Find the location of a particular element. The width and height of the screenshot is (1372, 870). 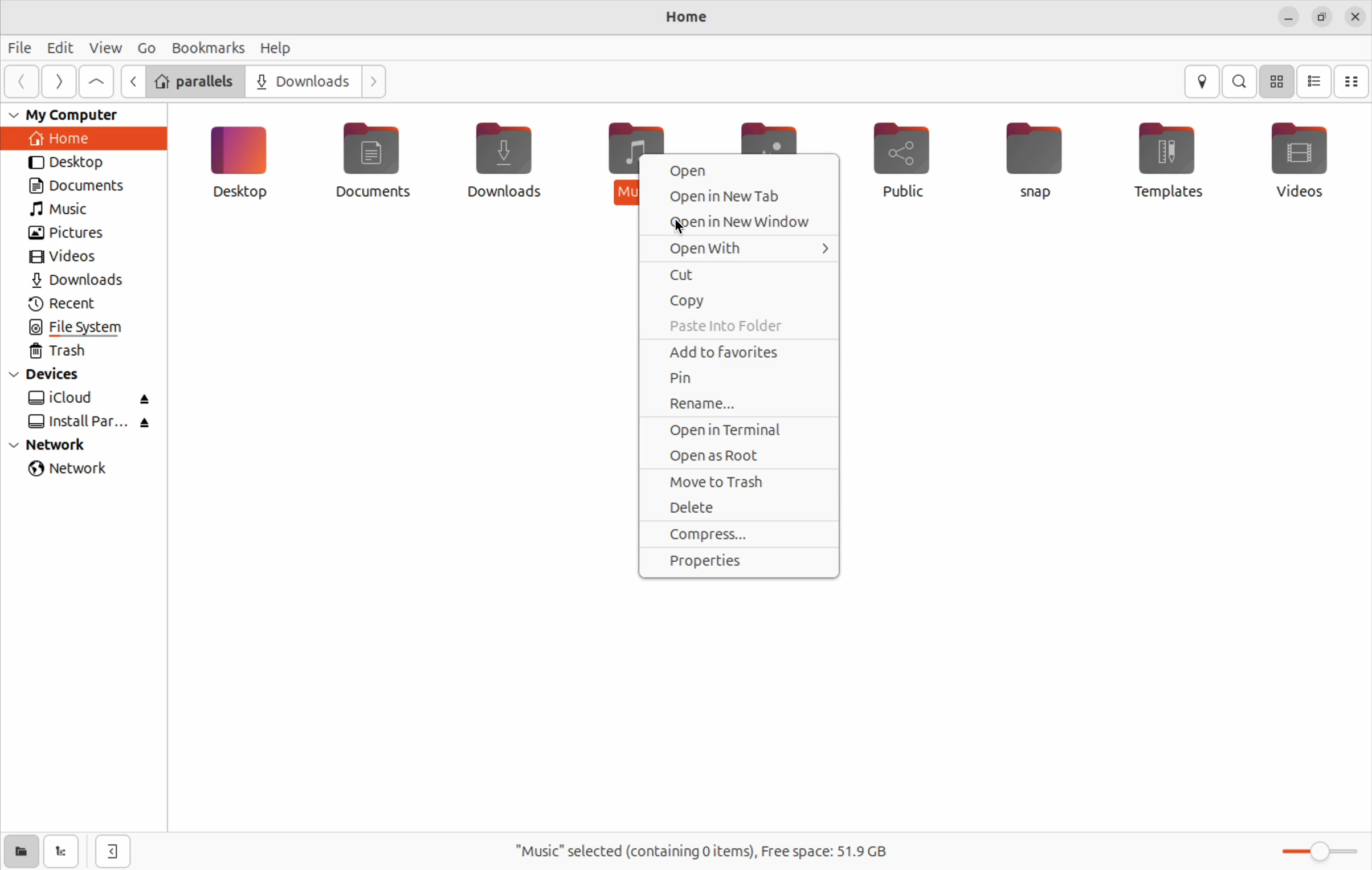

desktop is located at coordinates (83, 164).